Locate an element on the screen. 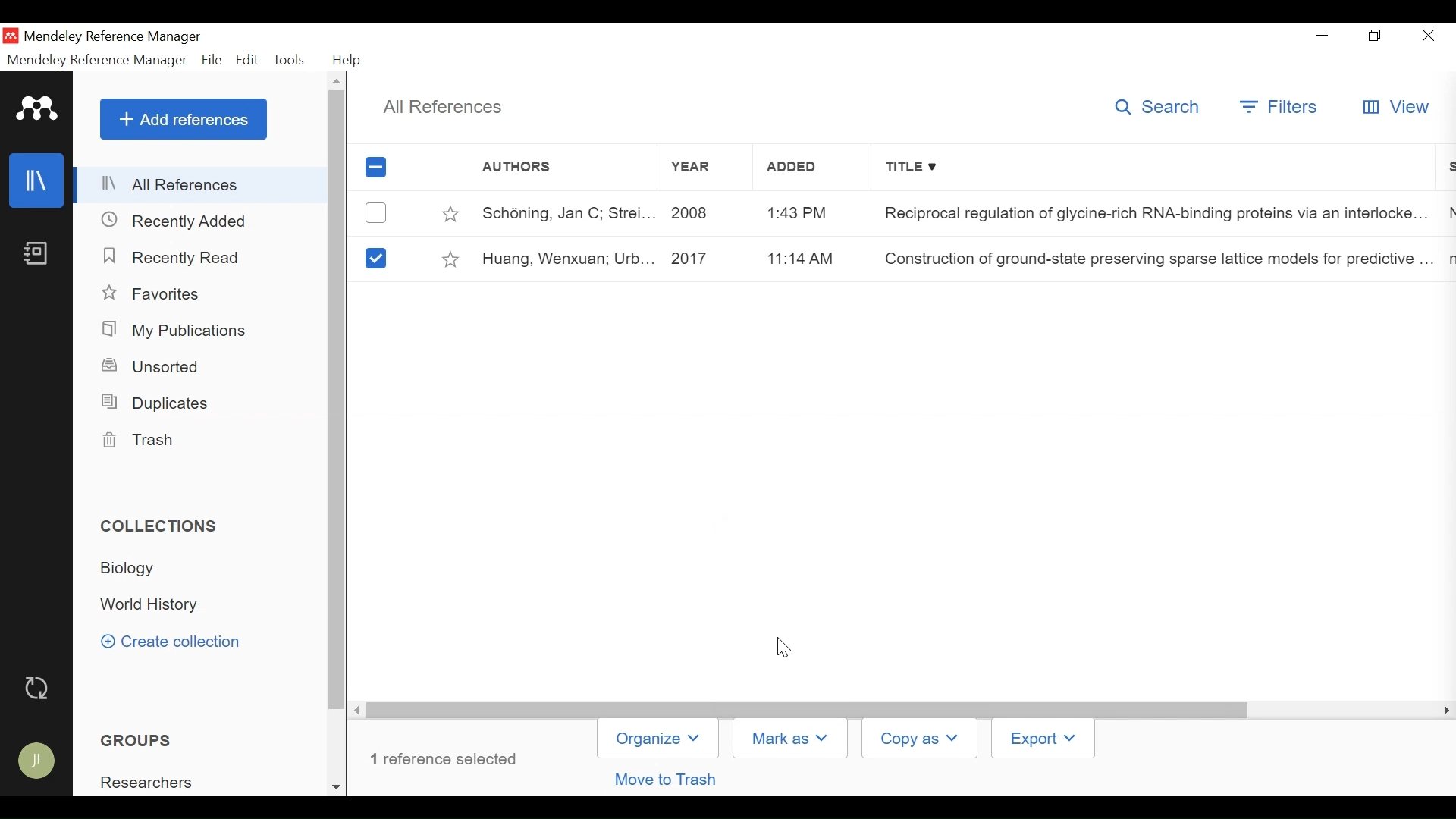  File is located at coordinates (212, 60).